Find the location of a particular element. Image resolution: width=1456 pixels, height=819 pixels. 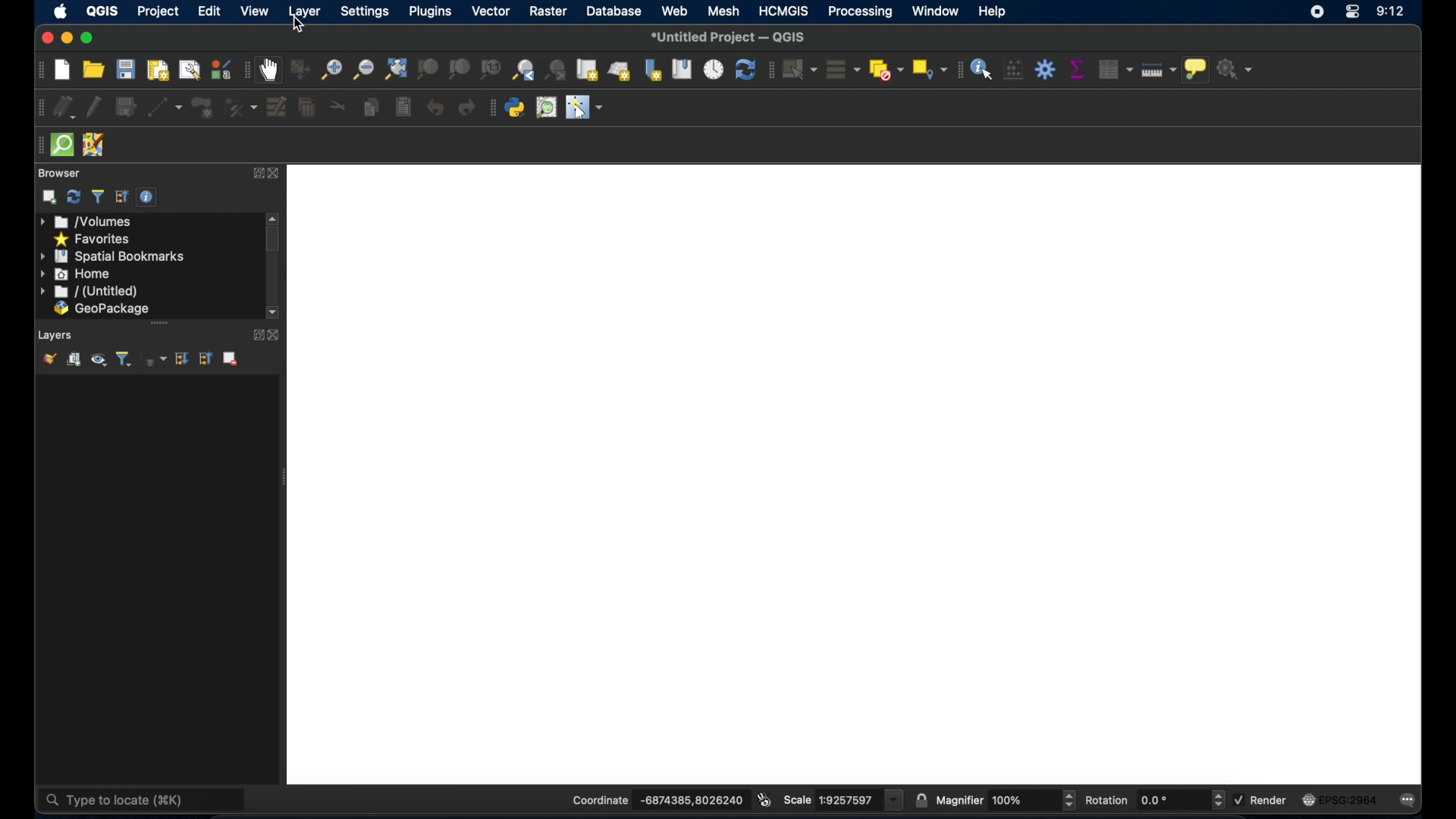

enable/disable properties widget is located at coordinates (149, 199).